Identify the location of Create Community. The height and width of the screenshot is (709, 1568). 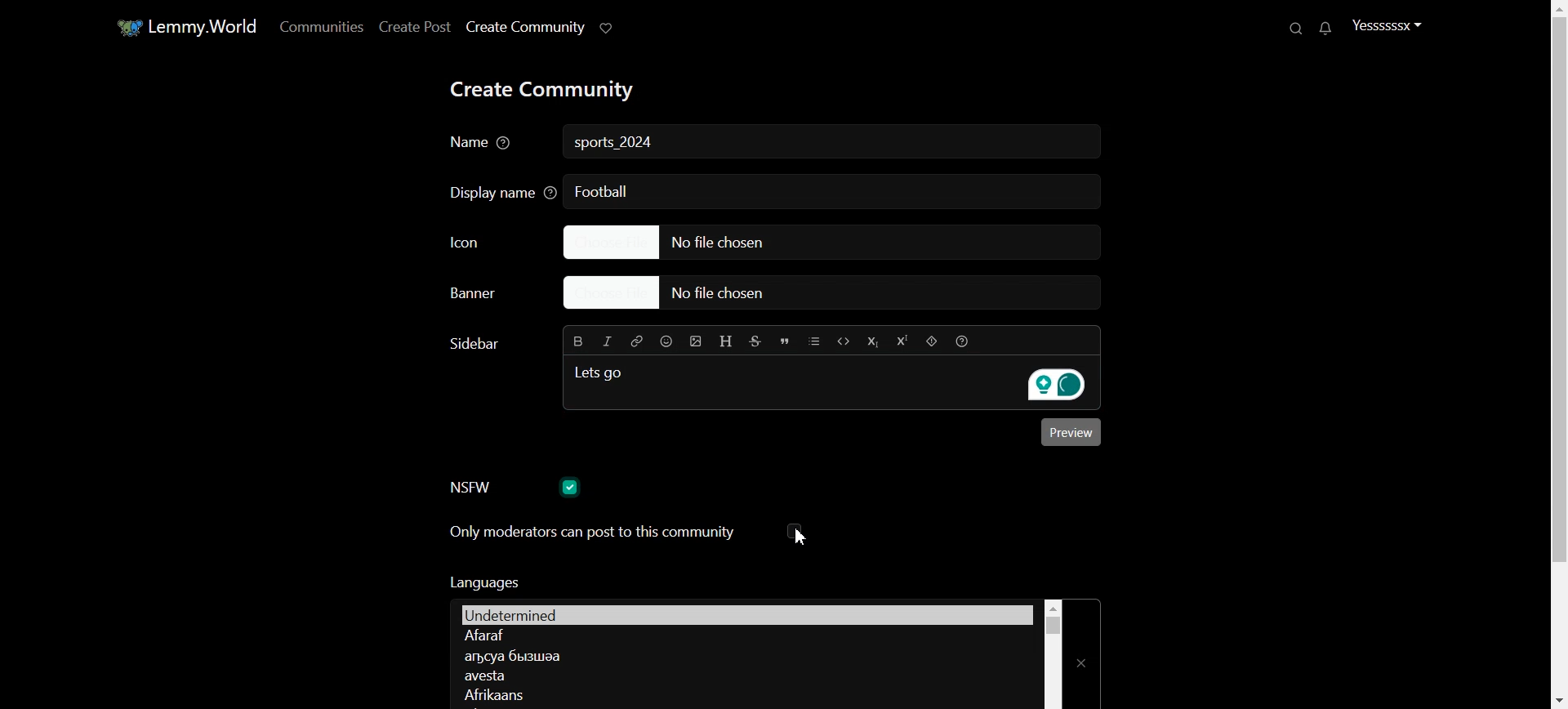
(524, 27).